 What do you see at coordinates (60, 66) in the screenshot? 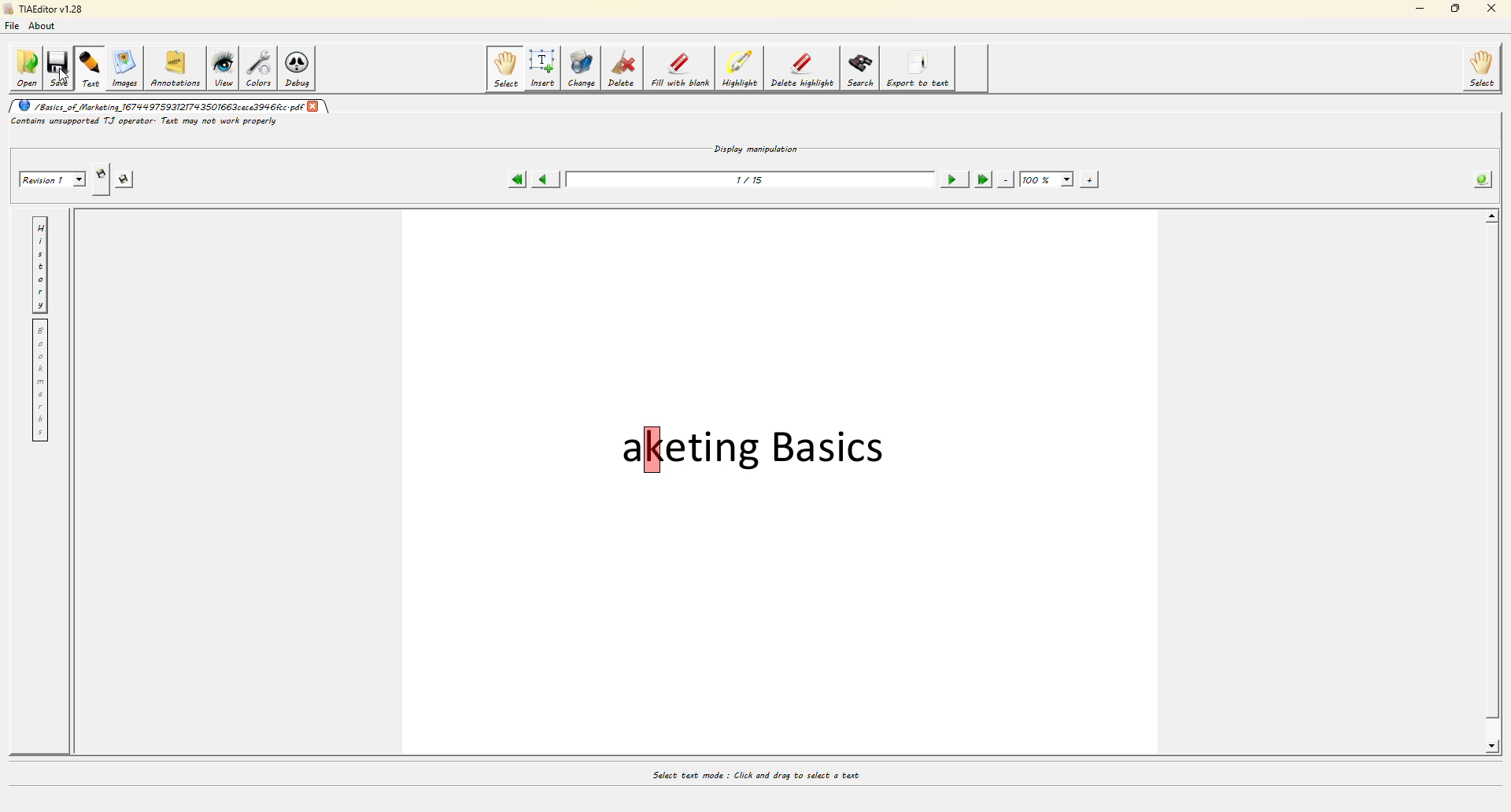
I see `save` at bounding box center [60, 66].